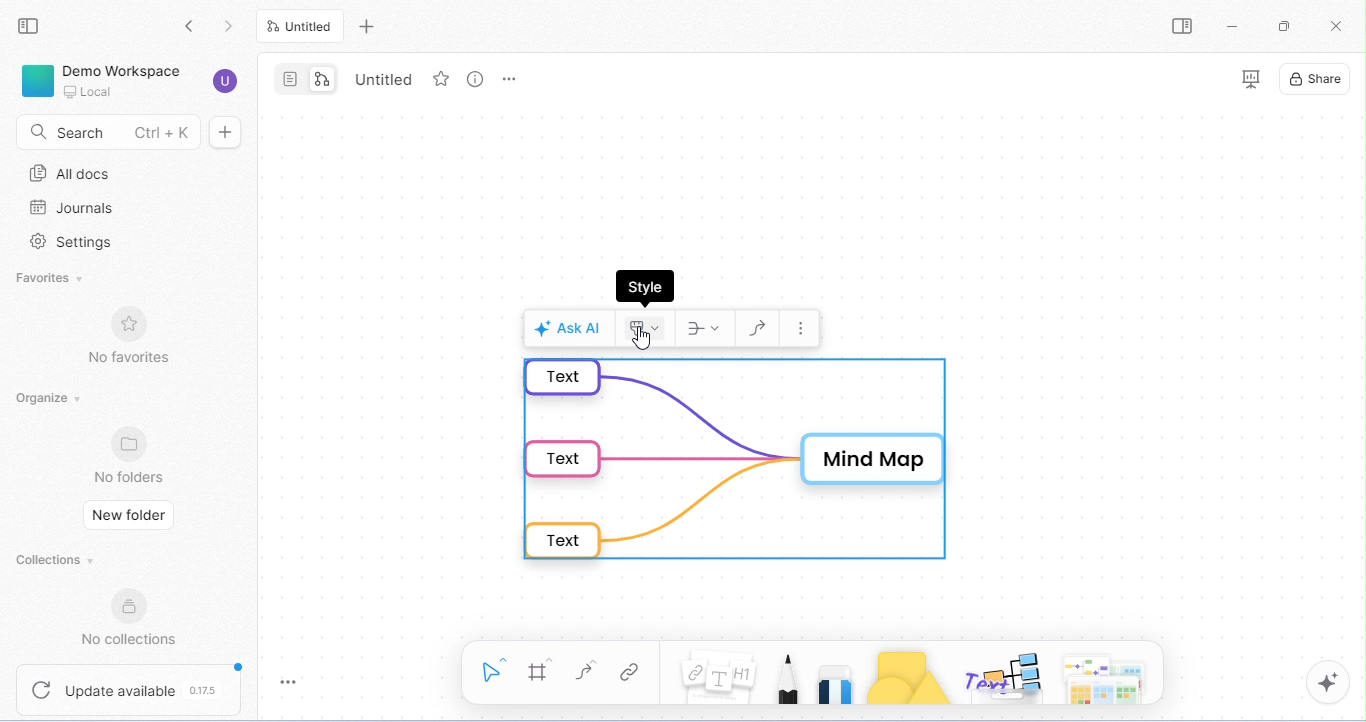  Describe the element at coordinates (645, 326) in the screenshot. I see `style` at that location.